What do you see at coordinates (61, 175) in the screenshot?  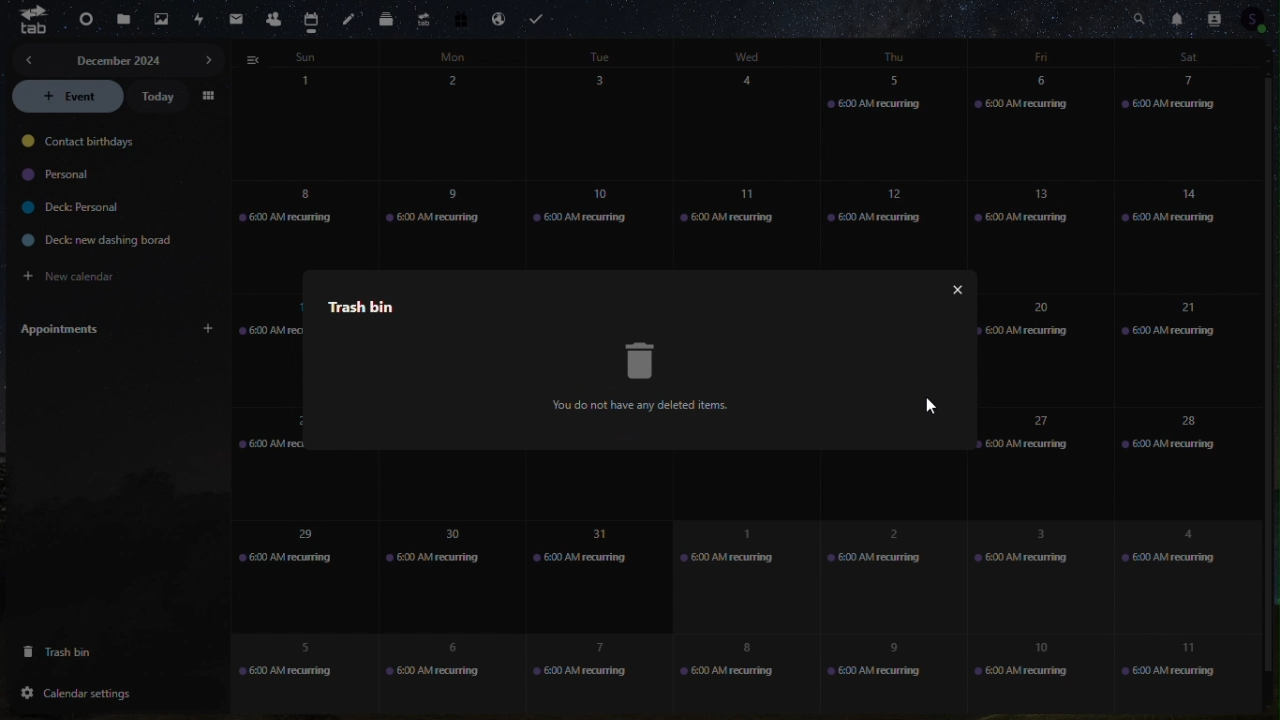 I see `personal` at bounding box center [61, 175].